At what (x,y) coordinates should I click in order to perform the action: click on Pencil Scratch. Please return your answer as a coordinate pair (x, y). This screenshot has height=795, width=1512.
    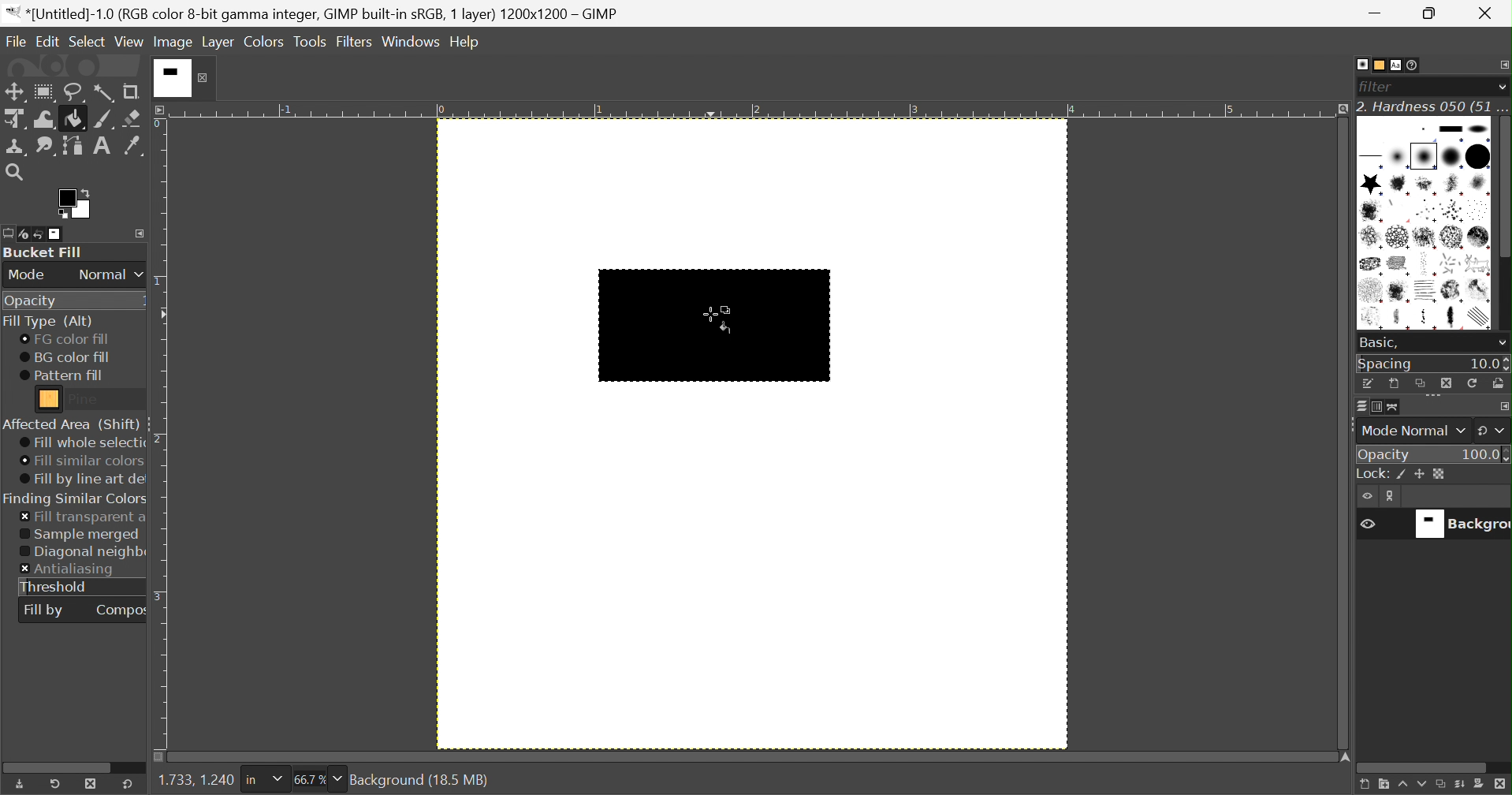
    Looking at the image, I should click on (1481, 318).